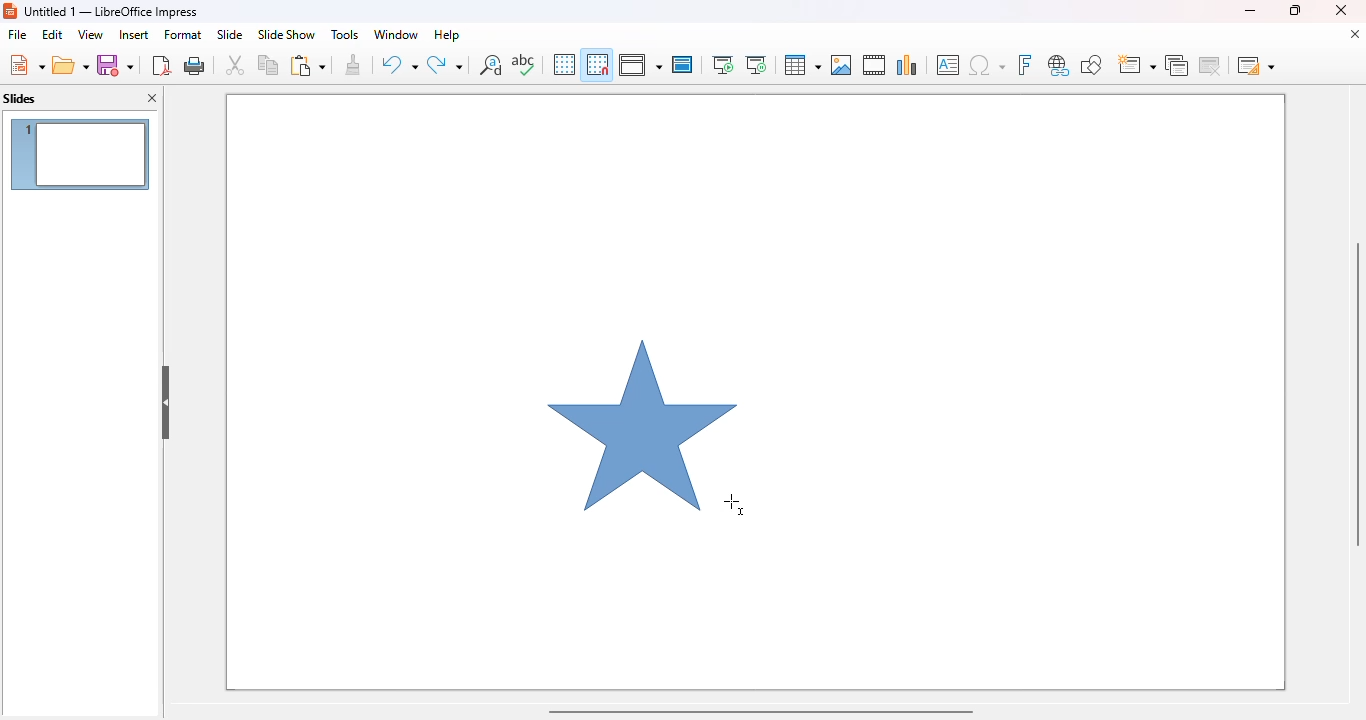  Describe the element at coordinates (1059, 65) in the screenshot. I see `insert hyperlink` at that location.